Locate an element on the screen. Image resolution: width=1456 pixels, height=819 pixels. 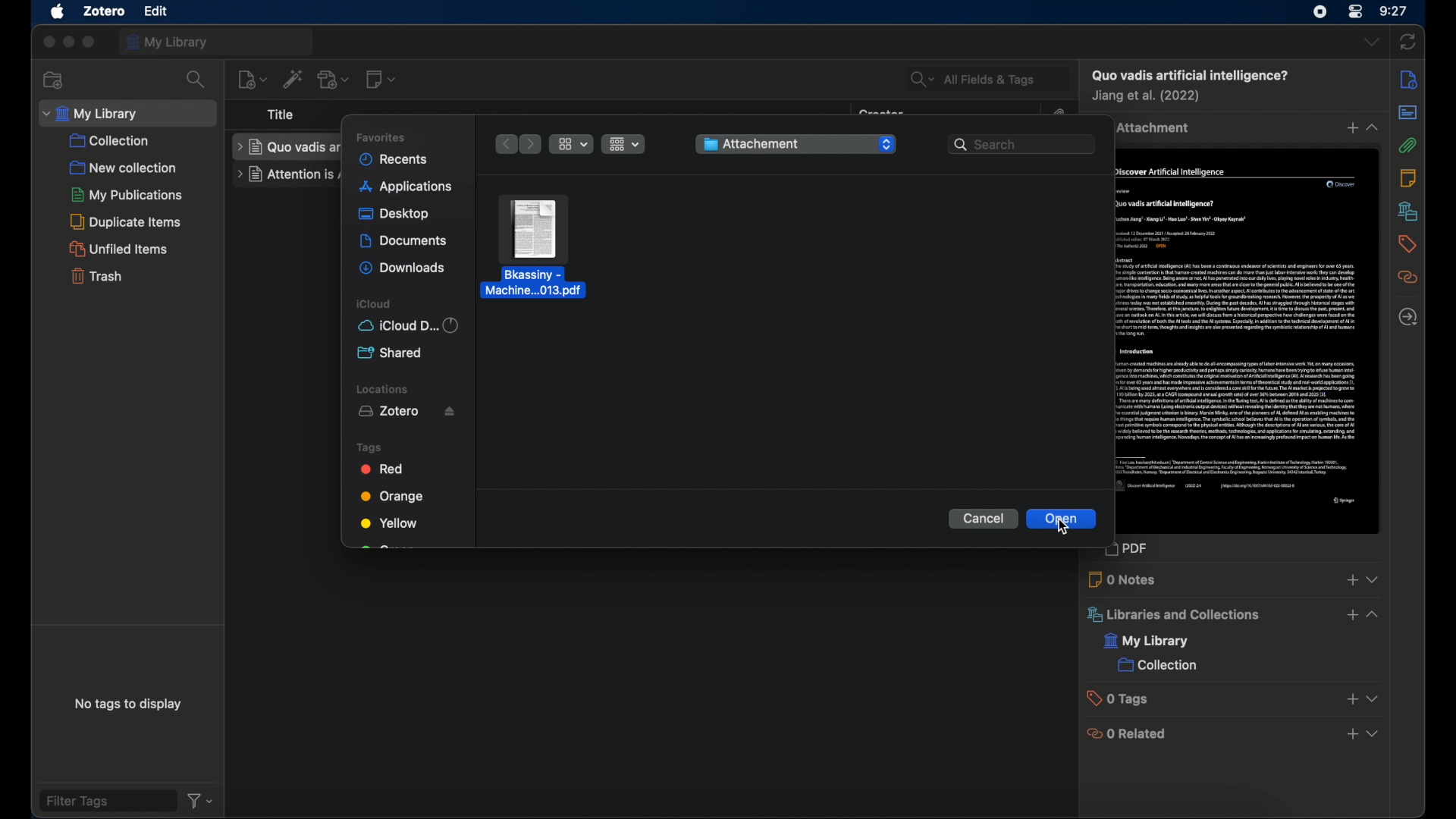
collection is located at coordinates (111, 141).